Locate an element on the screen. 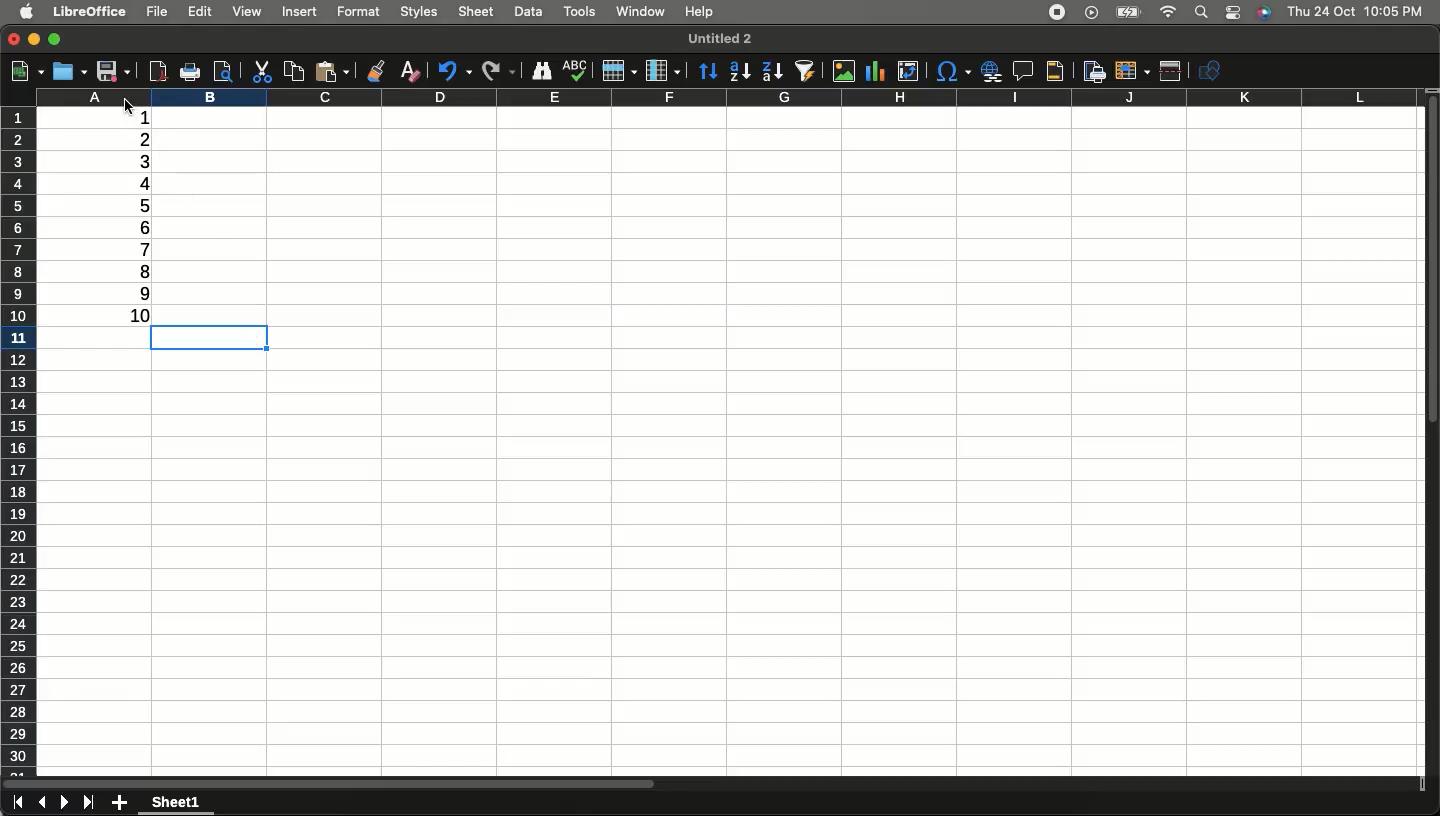 The width and height of the screenshot is (1440, 816). 10 is located at coordinates (141, 318).